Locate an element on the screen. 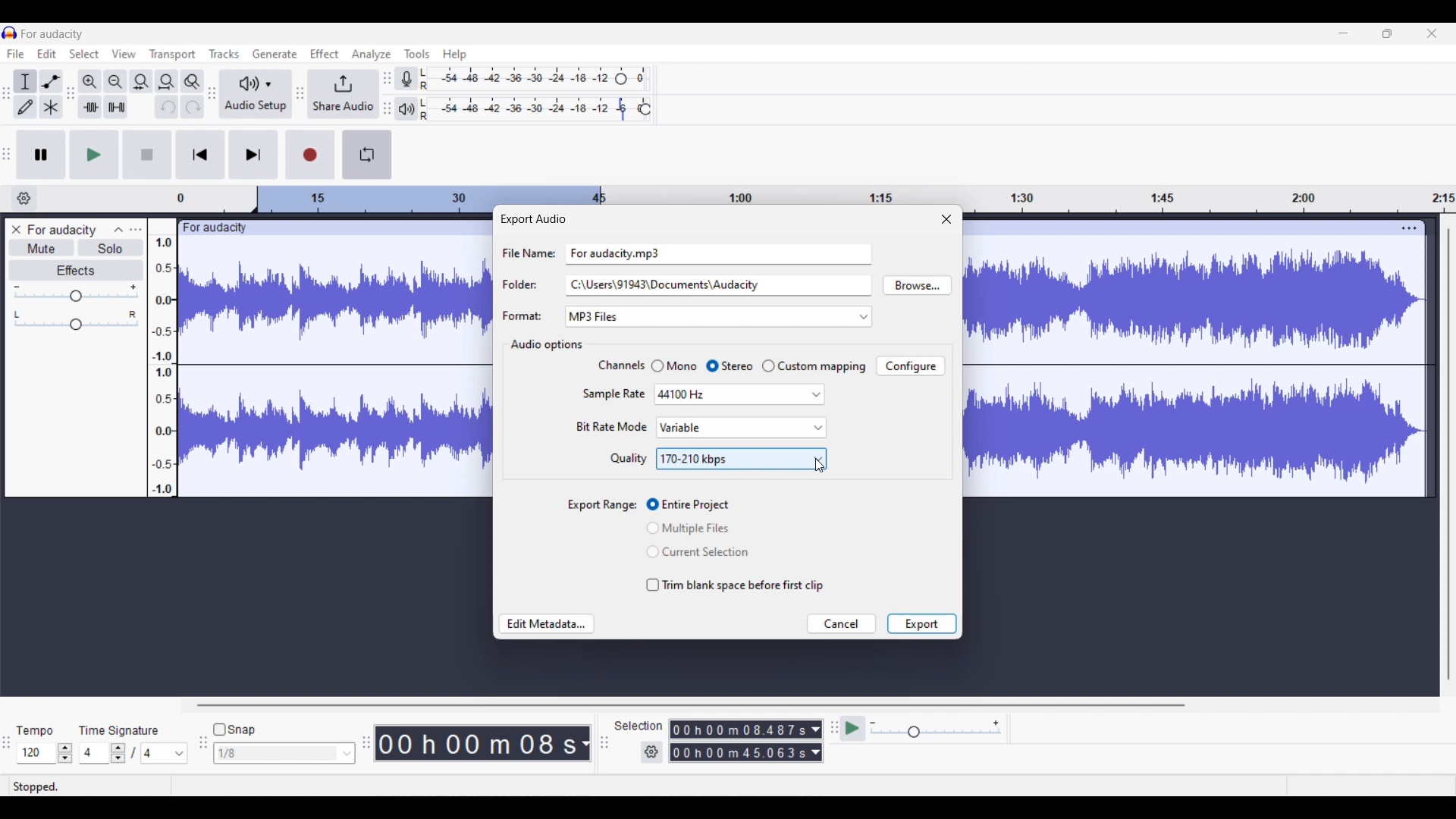  Tempo options is located at coordinates (34, 753).